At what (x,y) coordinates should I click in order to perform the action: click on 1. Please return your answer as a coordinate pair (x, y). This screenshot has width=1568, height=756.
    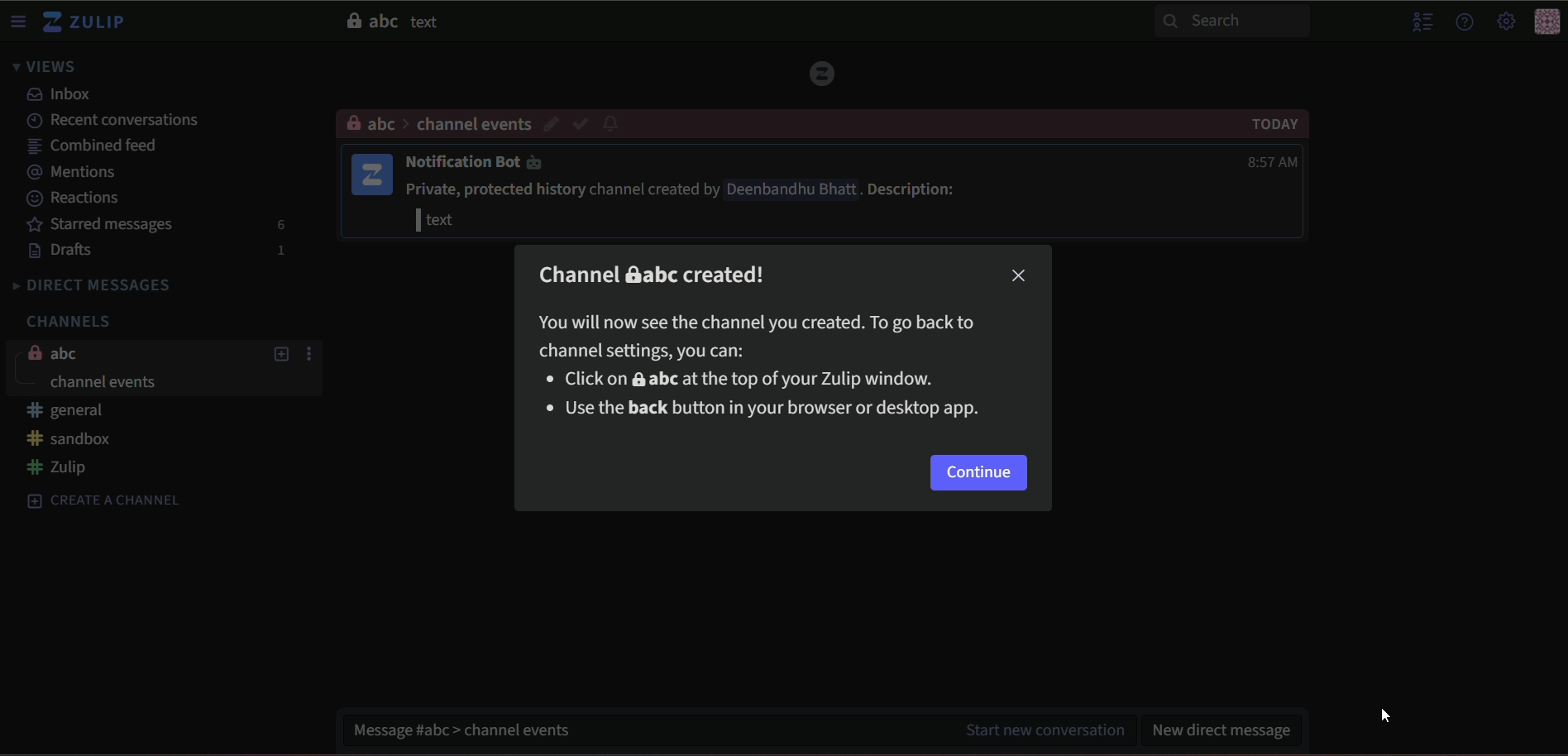
    Looking at the image, I should click on (277, 251).